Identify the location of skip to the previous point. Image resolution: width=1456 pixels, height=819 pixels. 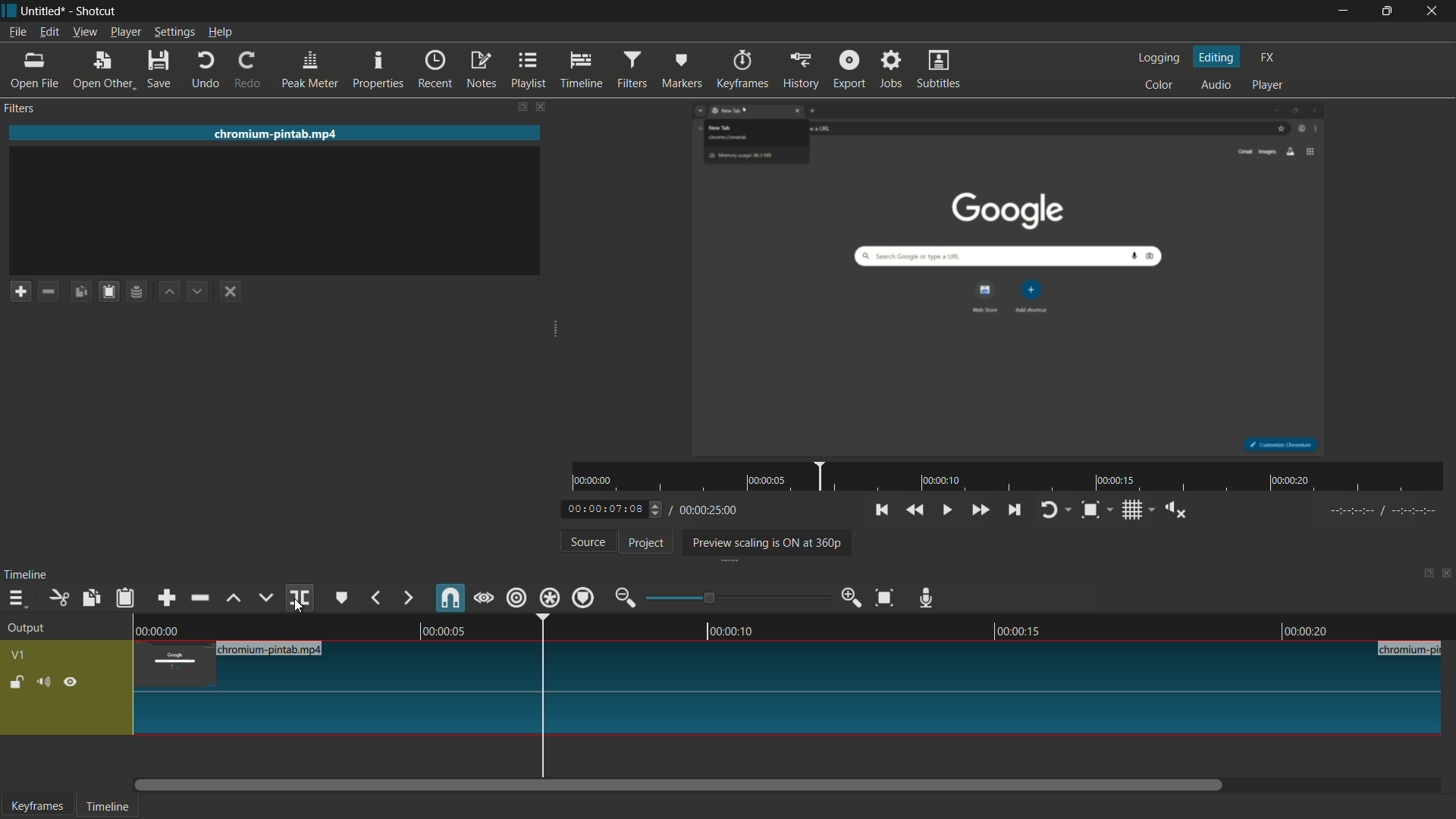
(880, 510).